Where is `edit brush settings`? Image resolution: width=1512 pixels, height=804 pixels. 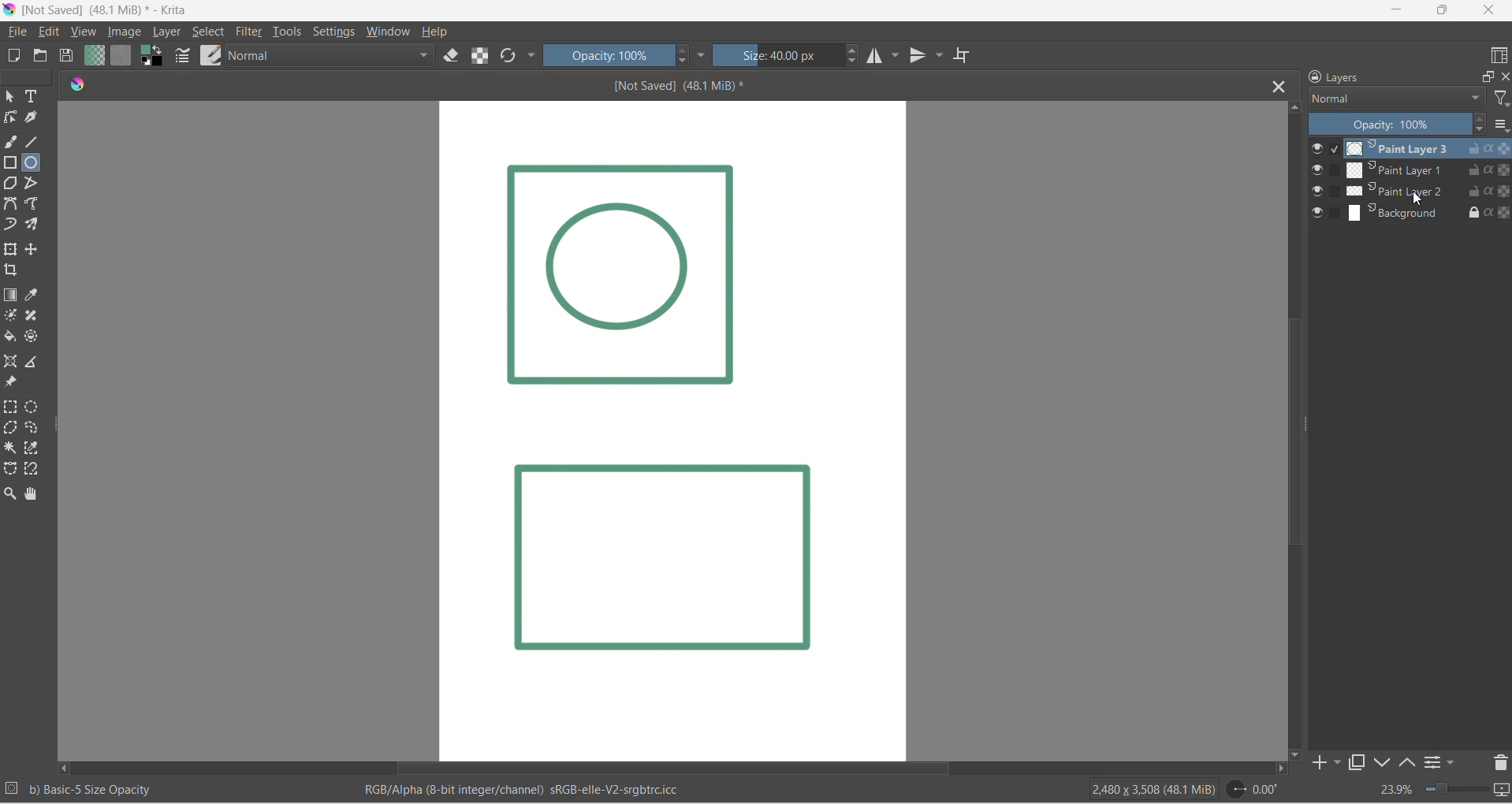
edit brush settings is located at coordinates (184, 58).